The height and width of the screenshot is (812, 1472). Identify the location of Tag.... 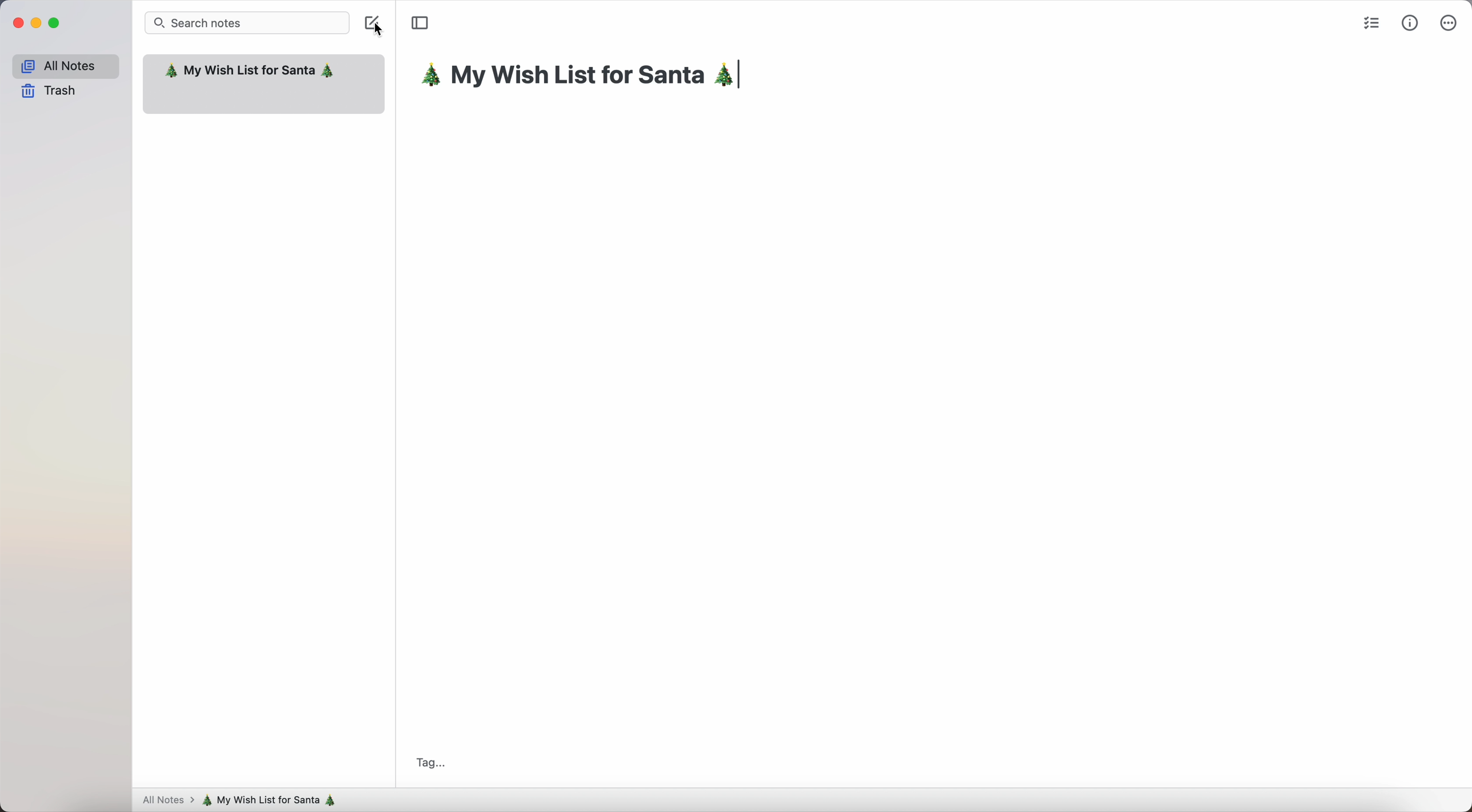
(430, 763).